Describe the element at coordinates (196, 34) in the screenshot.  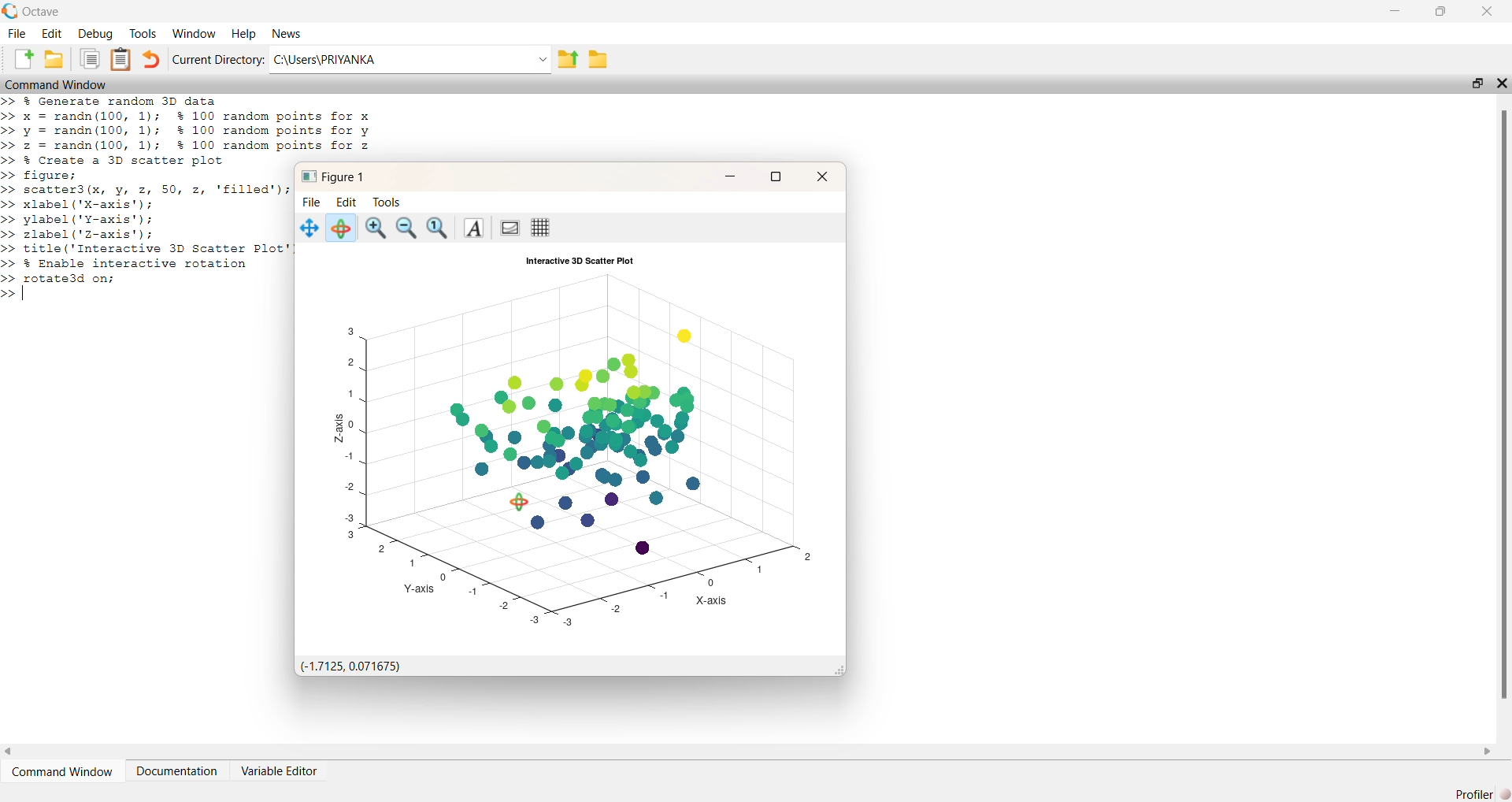
I see `Window` at that location.